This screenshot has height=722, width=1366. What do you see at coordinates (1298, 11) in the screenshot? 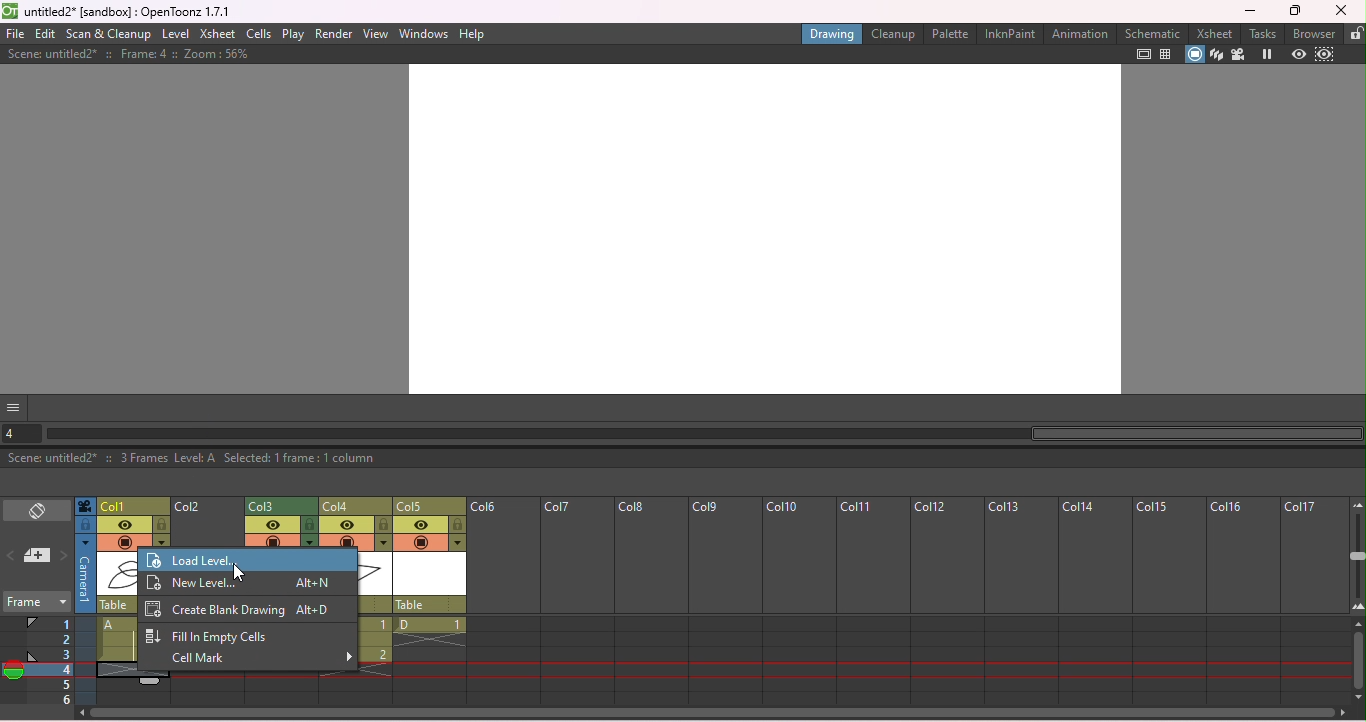
I see `Maximize` at bounding box center [1298, 11].